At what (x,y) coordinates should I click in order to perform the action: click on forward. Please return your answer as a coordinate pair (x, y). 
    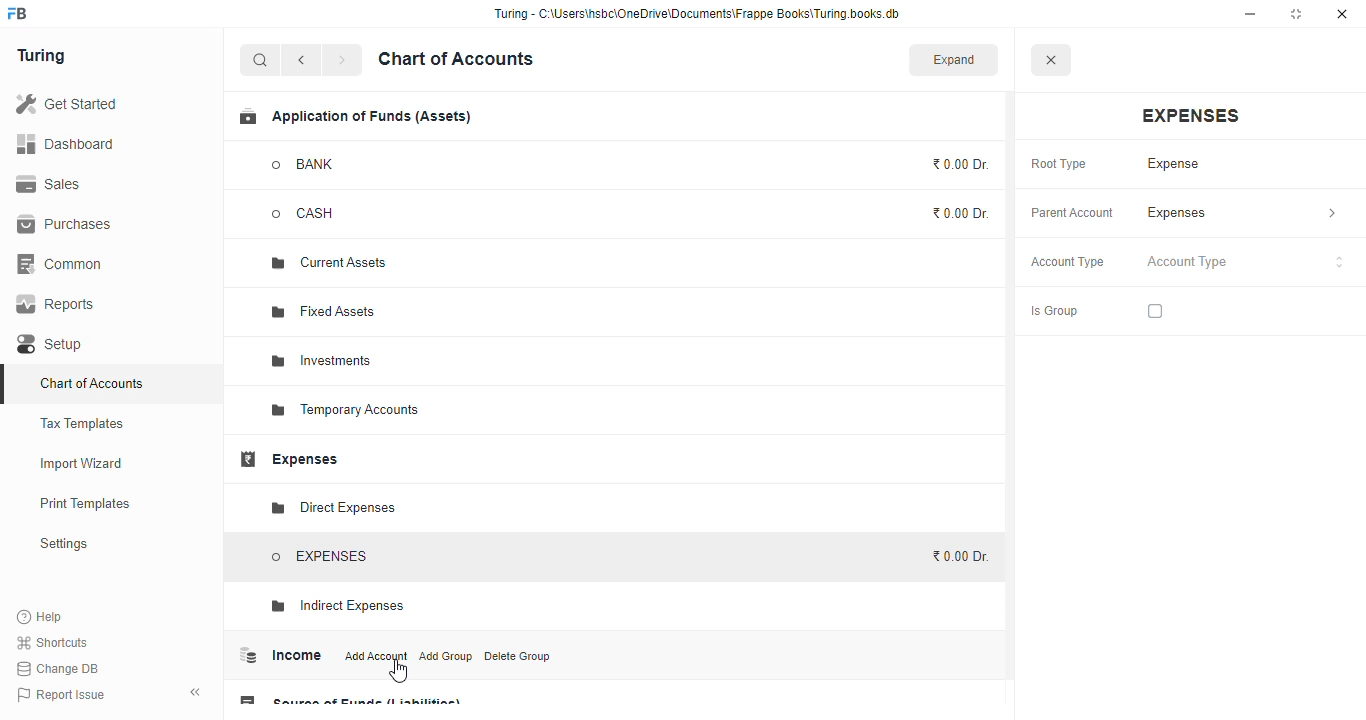
    Looking at the image, I should click on (342, 60).